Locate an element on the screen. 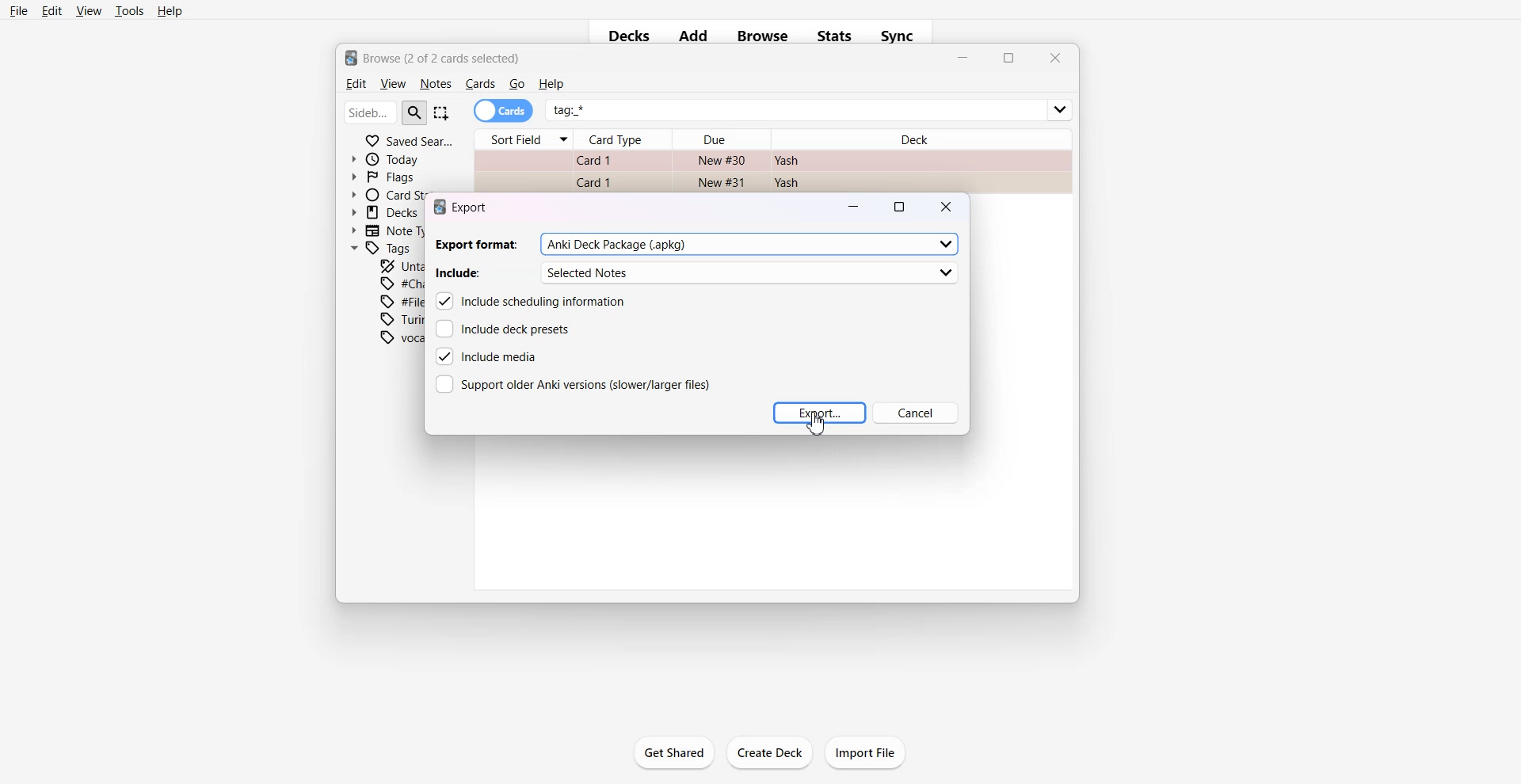 This screenshot has height=784, width=1521. Include deck presets is located at coordinates (505, 328).